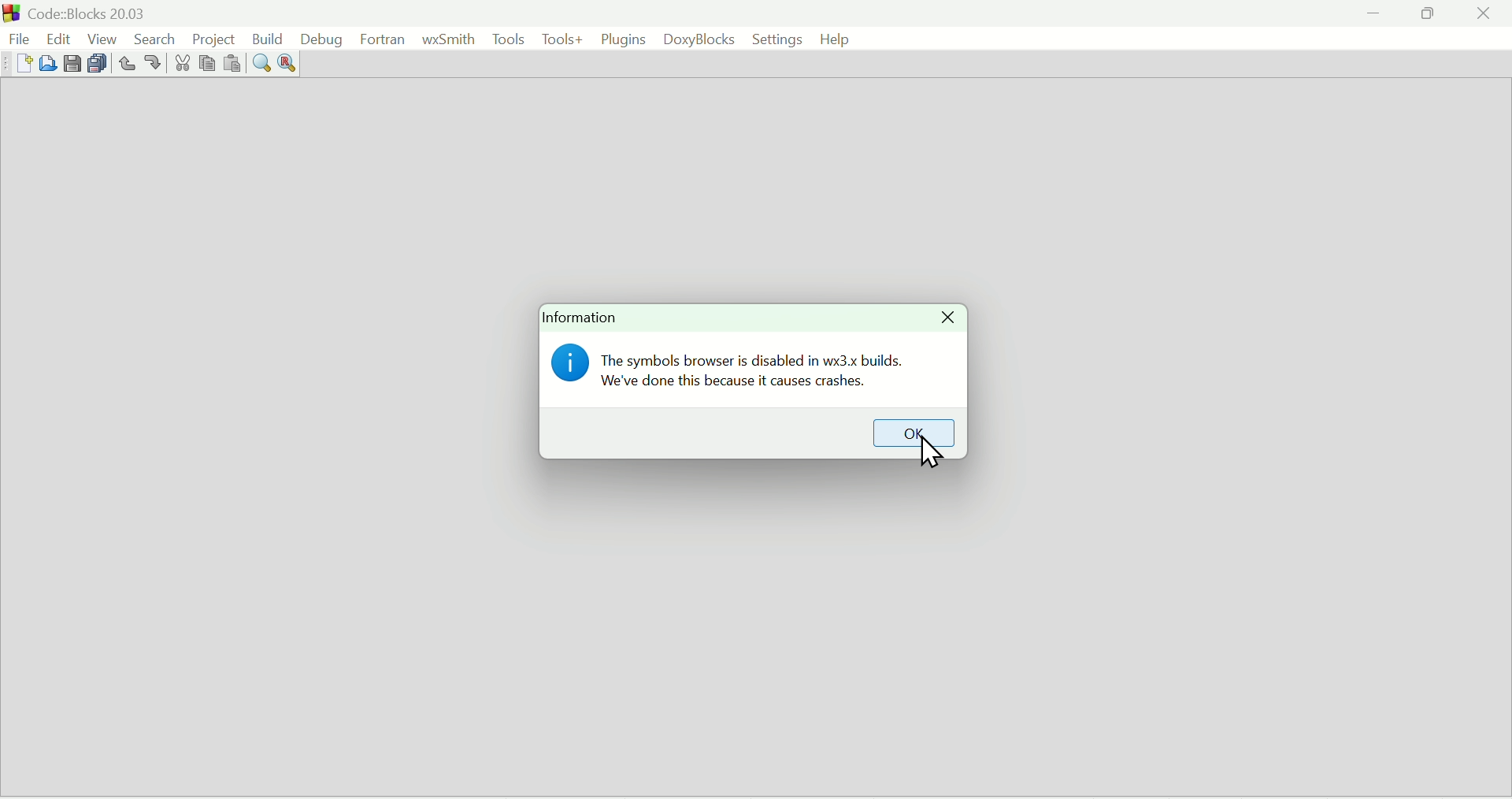  I want to click on Undo, so click(127, 63).